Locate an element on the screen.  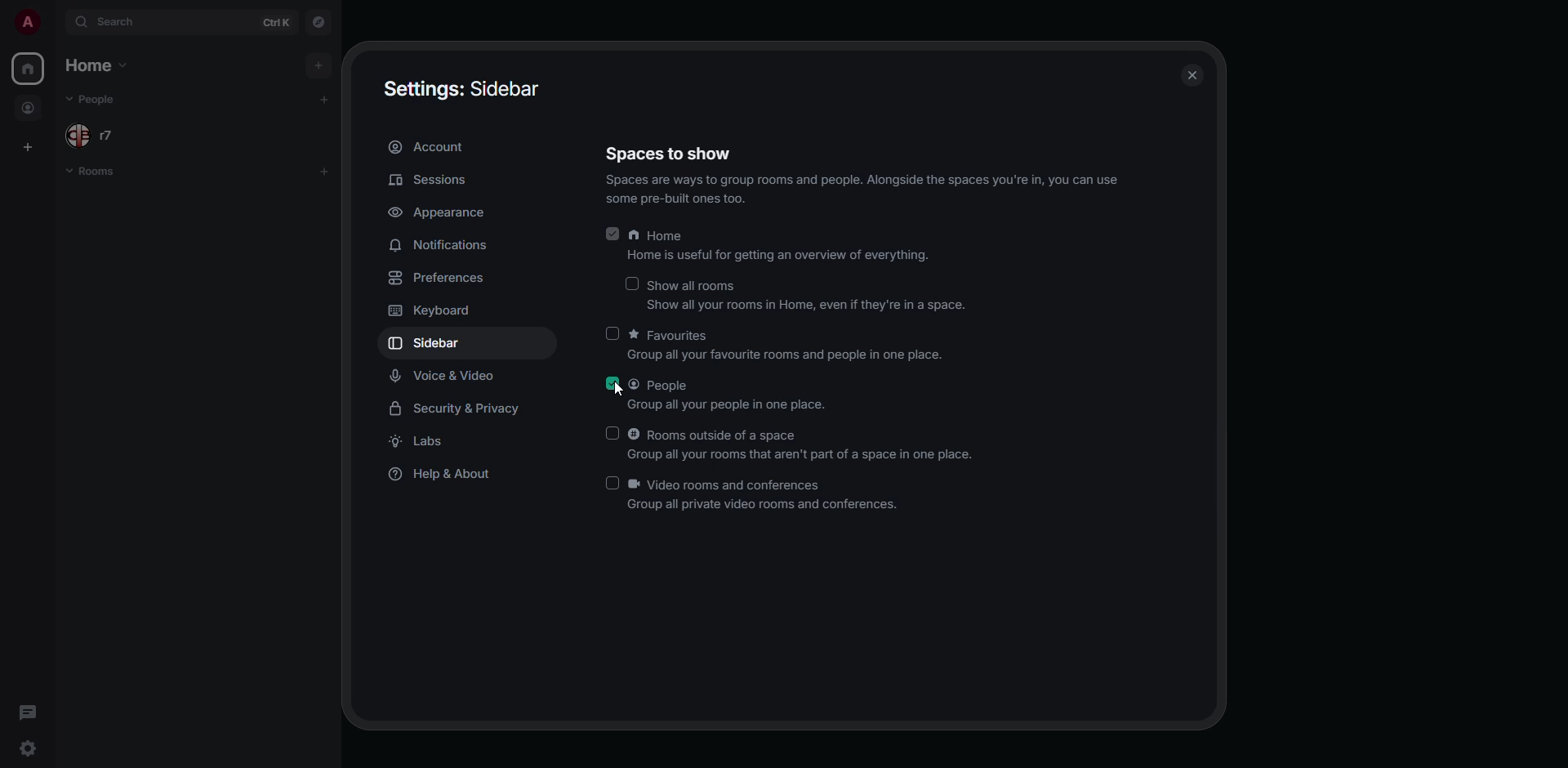
show all roomsShow all your rooms in Home, even if they're in a space. is located at coordinates (794, 293).